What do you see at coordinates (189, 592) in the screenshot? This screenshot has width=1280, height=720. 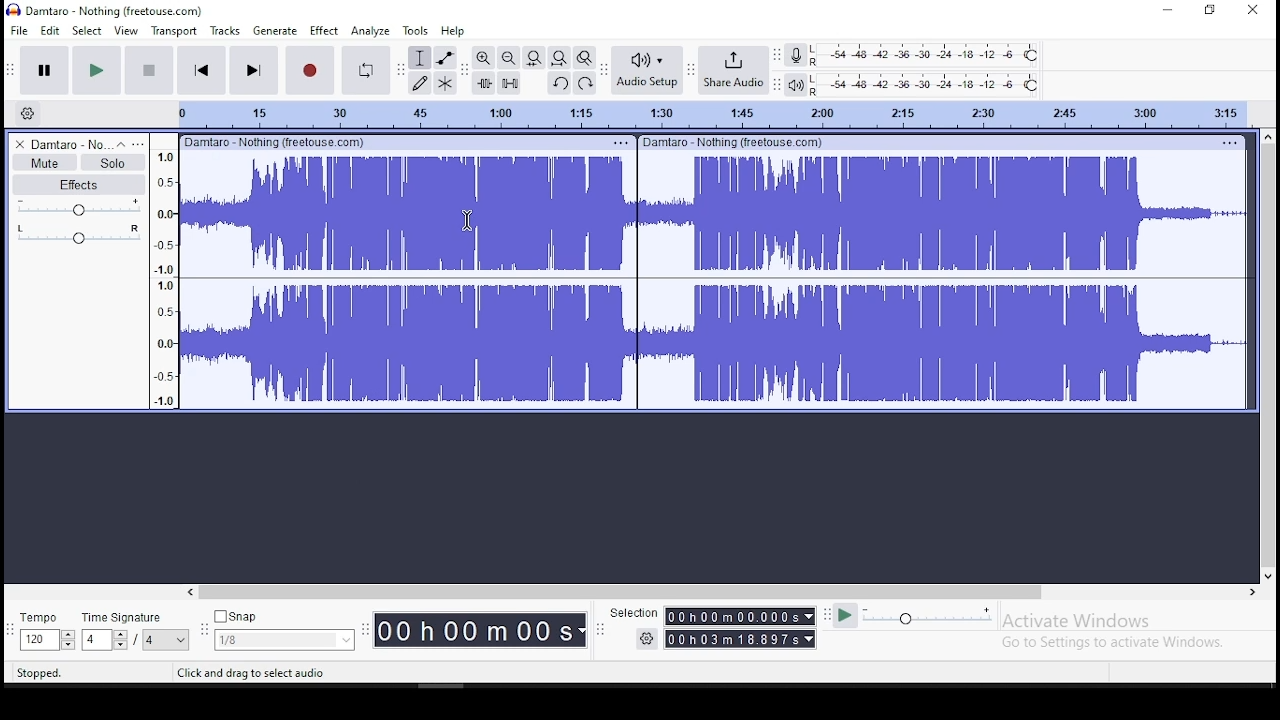 I see `scroll left` at bounding box center [189, 592].